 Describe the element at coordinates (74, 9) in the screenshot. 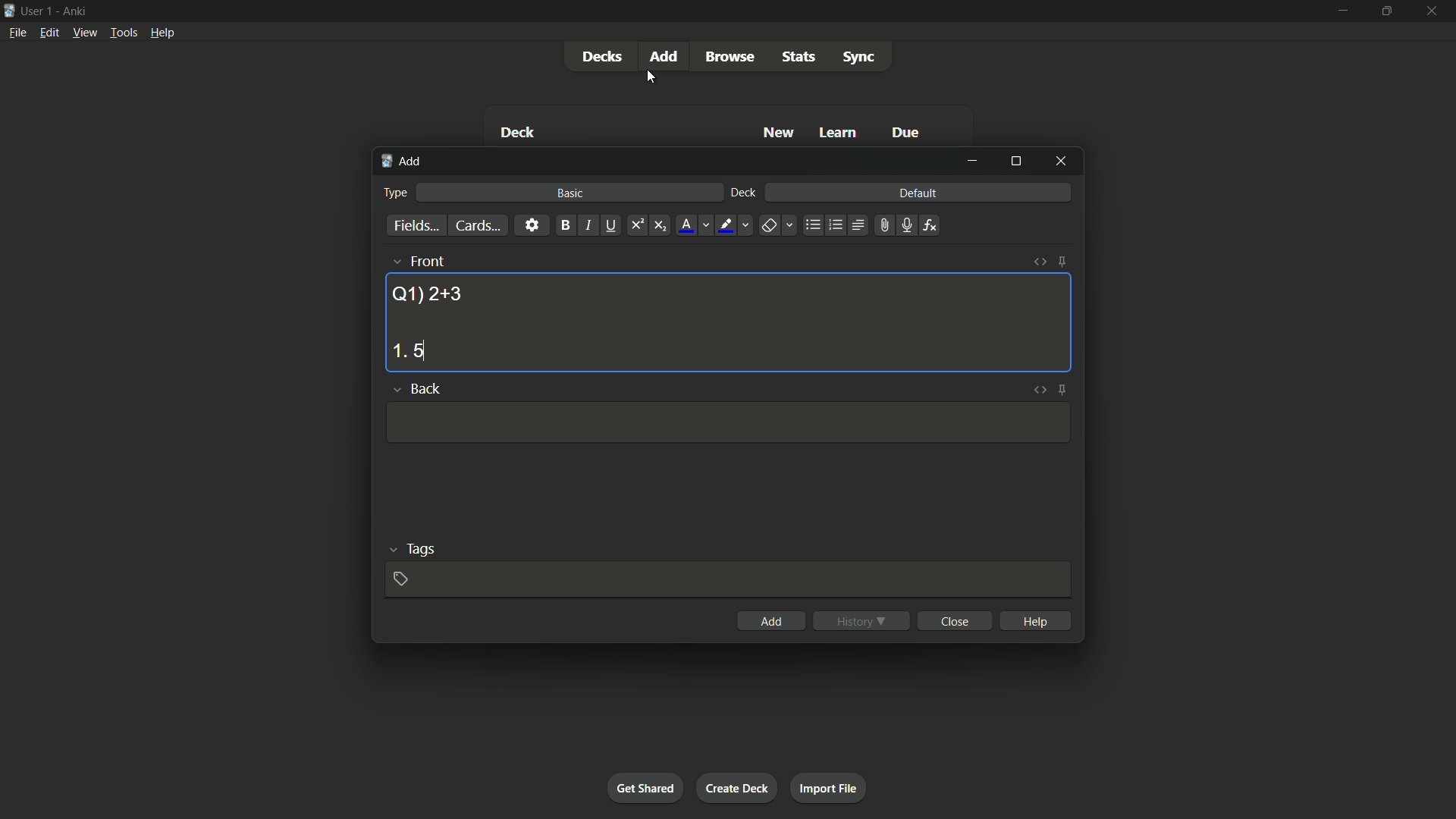

I see `app name` at that location.